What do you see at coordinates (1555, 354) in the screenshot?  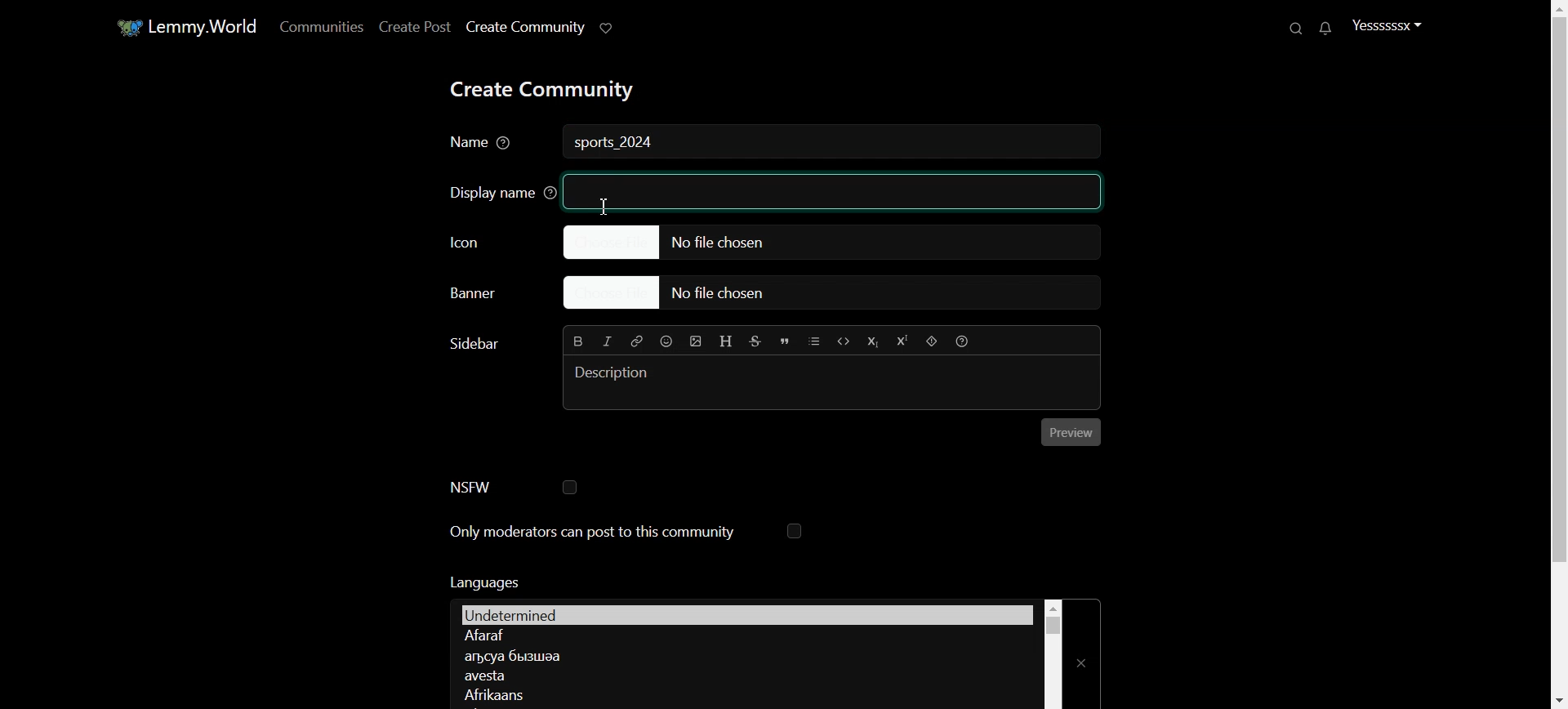 I see `Vertical Scroll bar` at bounding box center [1555, 354].